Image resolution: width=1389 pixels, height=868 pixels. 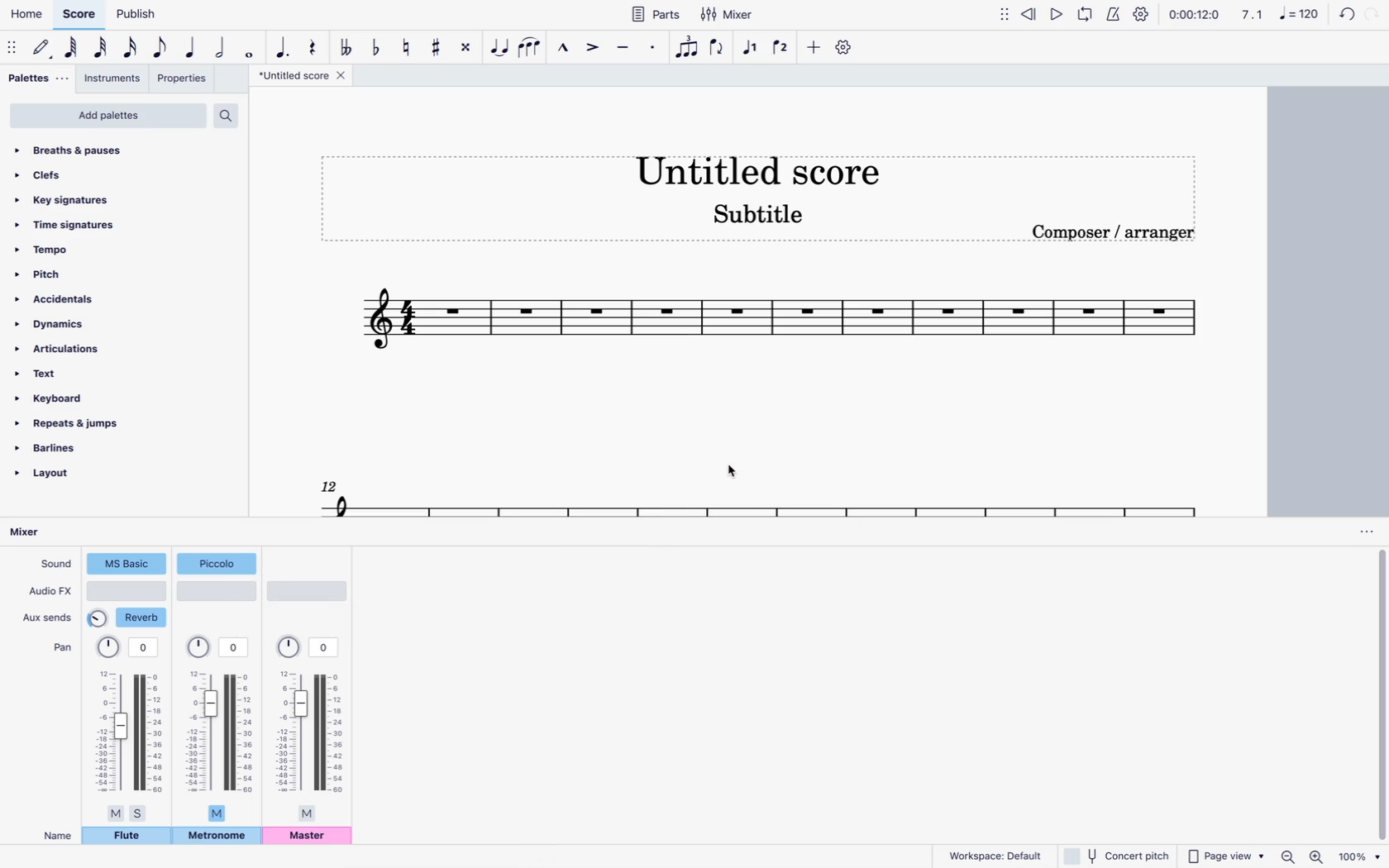 I want to click on score subtitle, so click(x=767, y=214).